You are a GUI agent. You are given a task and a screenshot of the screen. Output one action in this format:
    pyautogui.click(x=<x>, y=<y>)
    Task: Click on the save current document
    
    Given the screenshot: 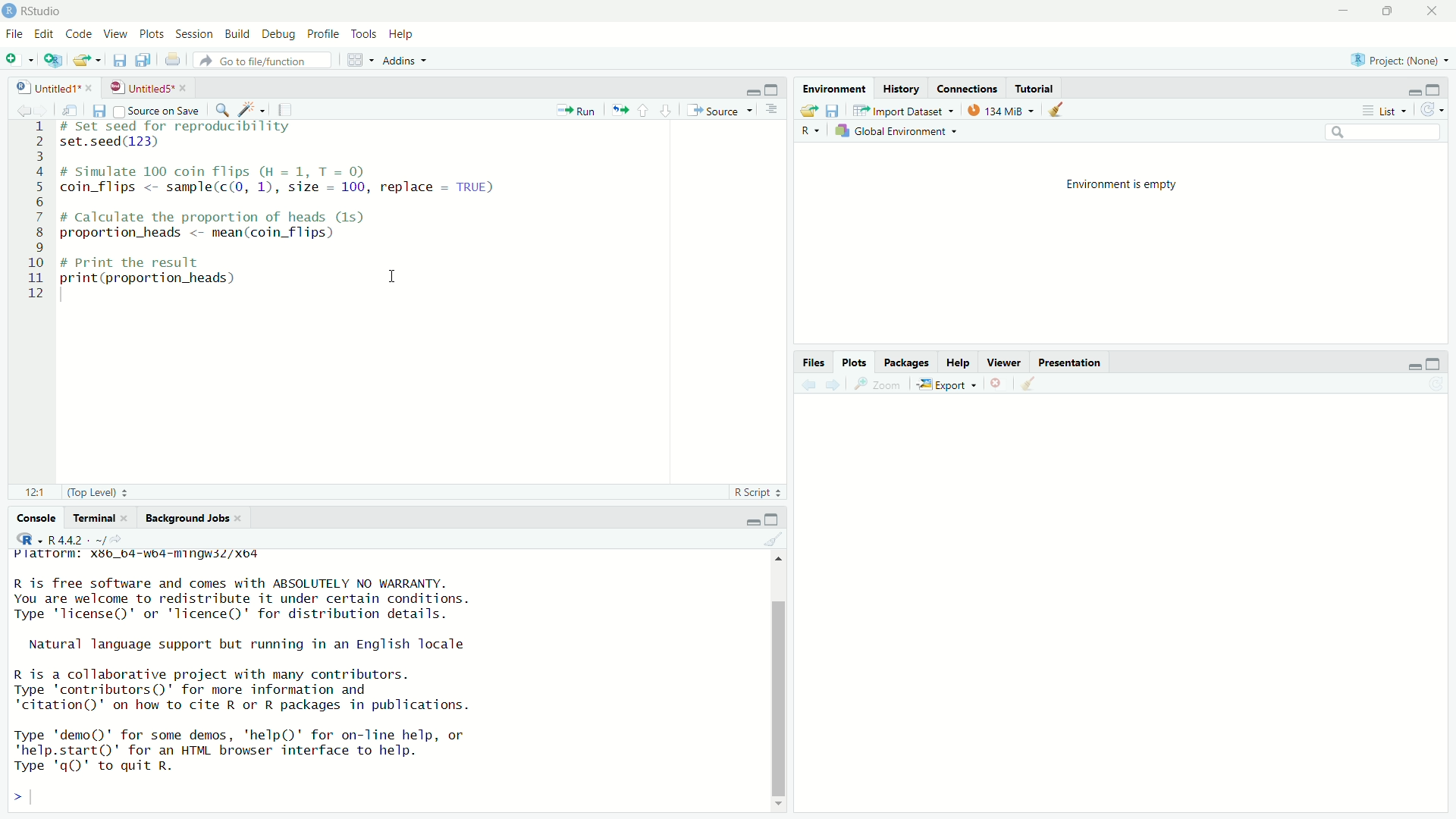 What is the action you would take?
    pyautogui.click(x=118, y=61)
    